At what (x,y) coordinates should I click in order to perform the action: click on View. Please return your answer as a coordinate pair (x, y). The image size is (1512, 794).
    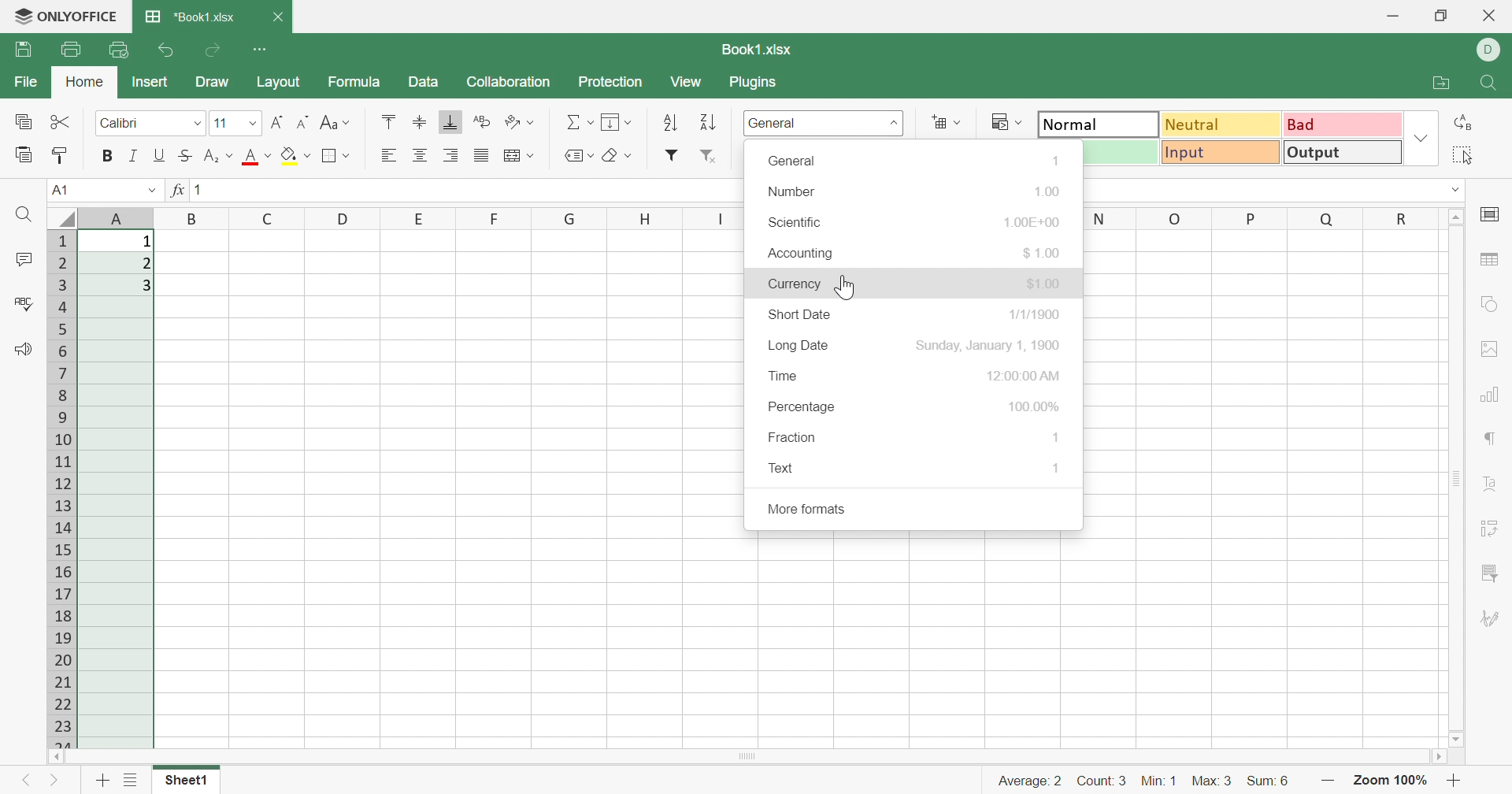
    Looking at the image, I should click on (684, 82).